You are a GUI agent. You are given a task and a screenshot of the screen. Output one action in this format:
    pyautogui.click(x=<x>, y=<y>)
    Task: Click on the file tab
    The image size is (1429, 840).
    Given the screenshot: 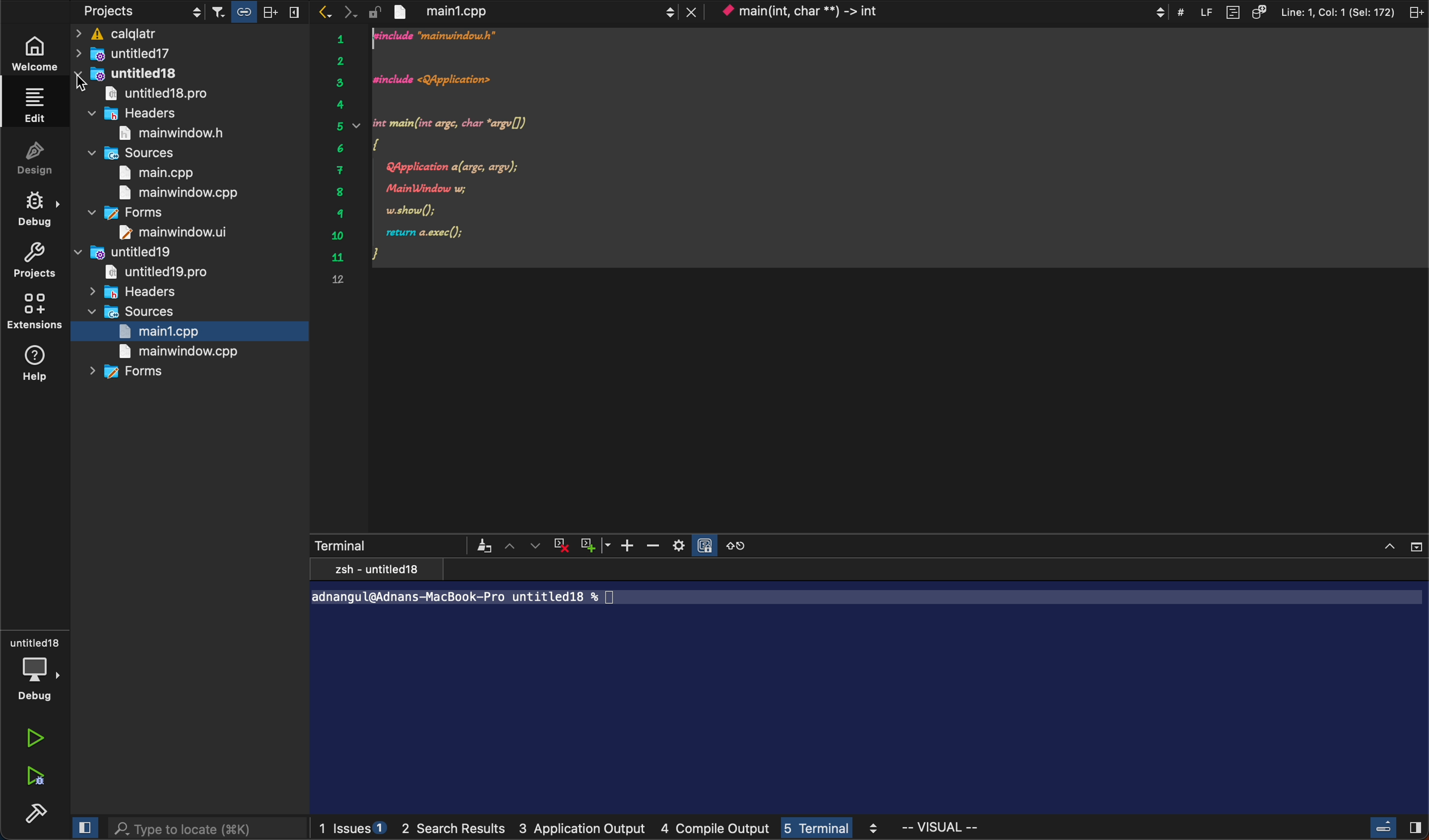 What is the action you would take?
    pyautogui.click(x=534, y=12)
    